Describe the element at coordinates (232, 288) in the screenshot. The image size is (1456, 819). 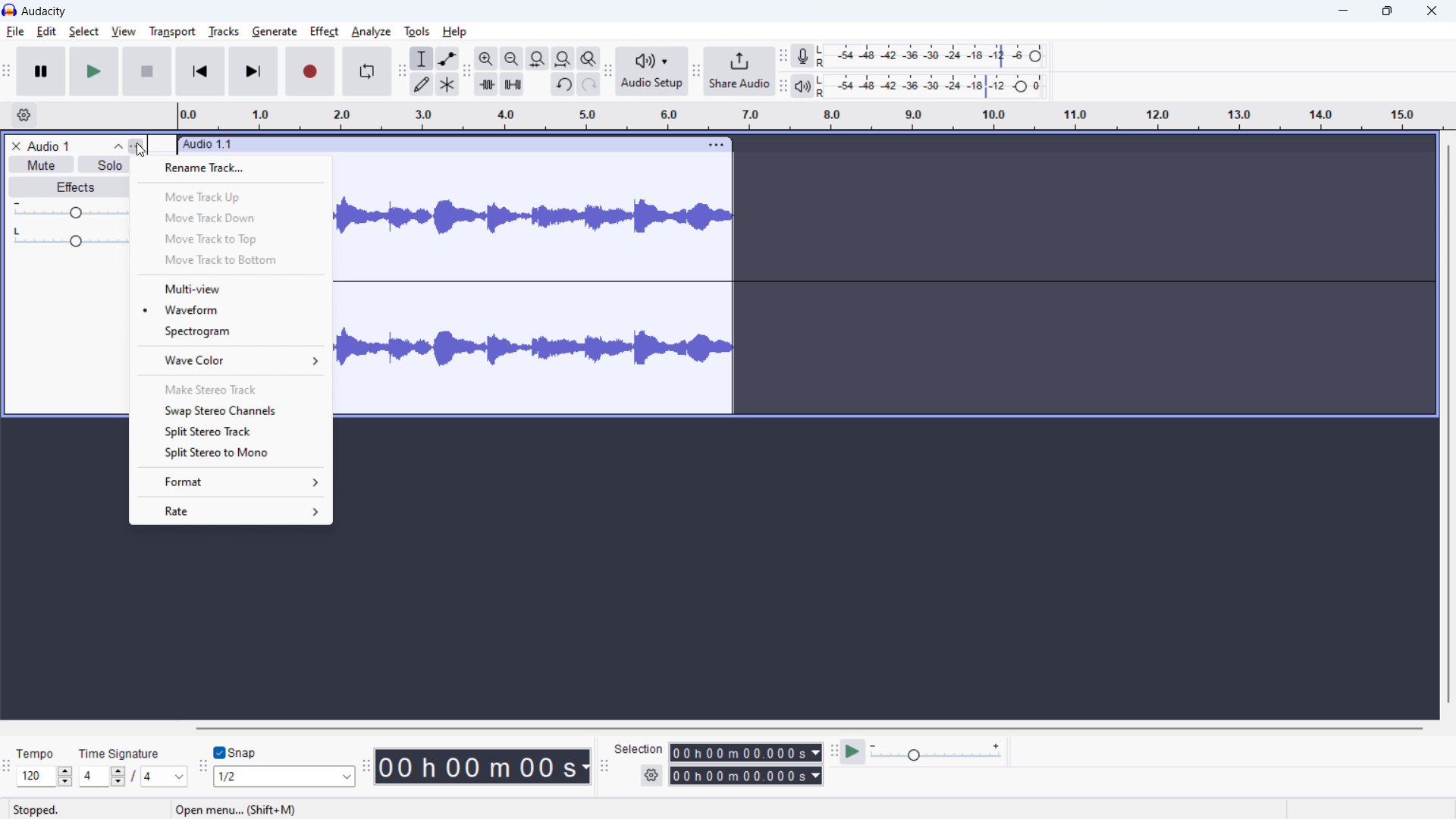
I see `multi view` at that location.